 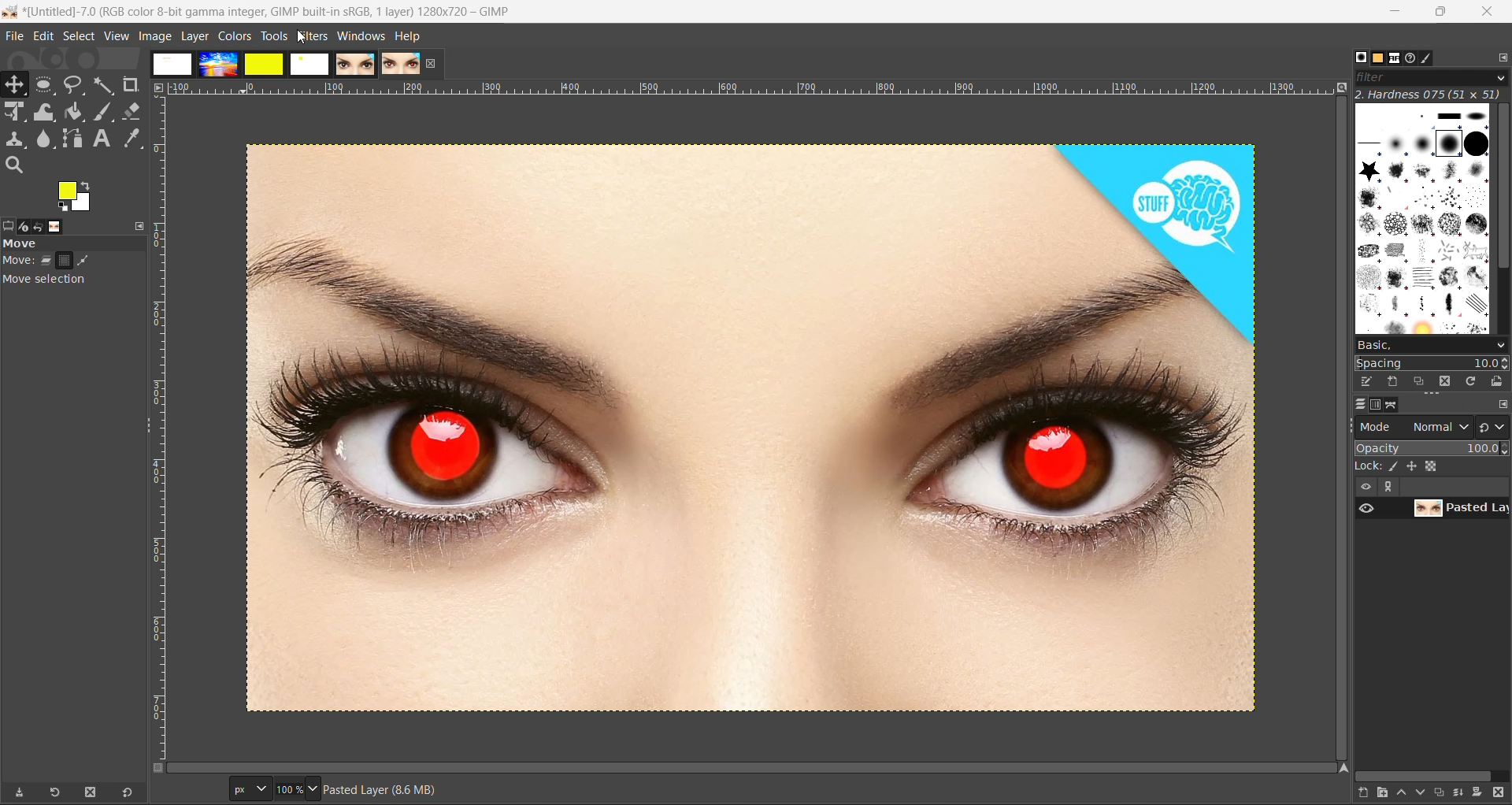 I want to click on vertical scroll bar, so click(x=1503, y=193).